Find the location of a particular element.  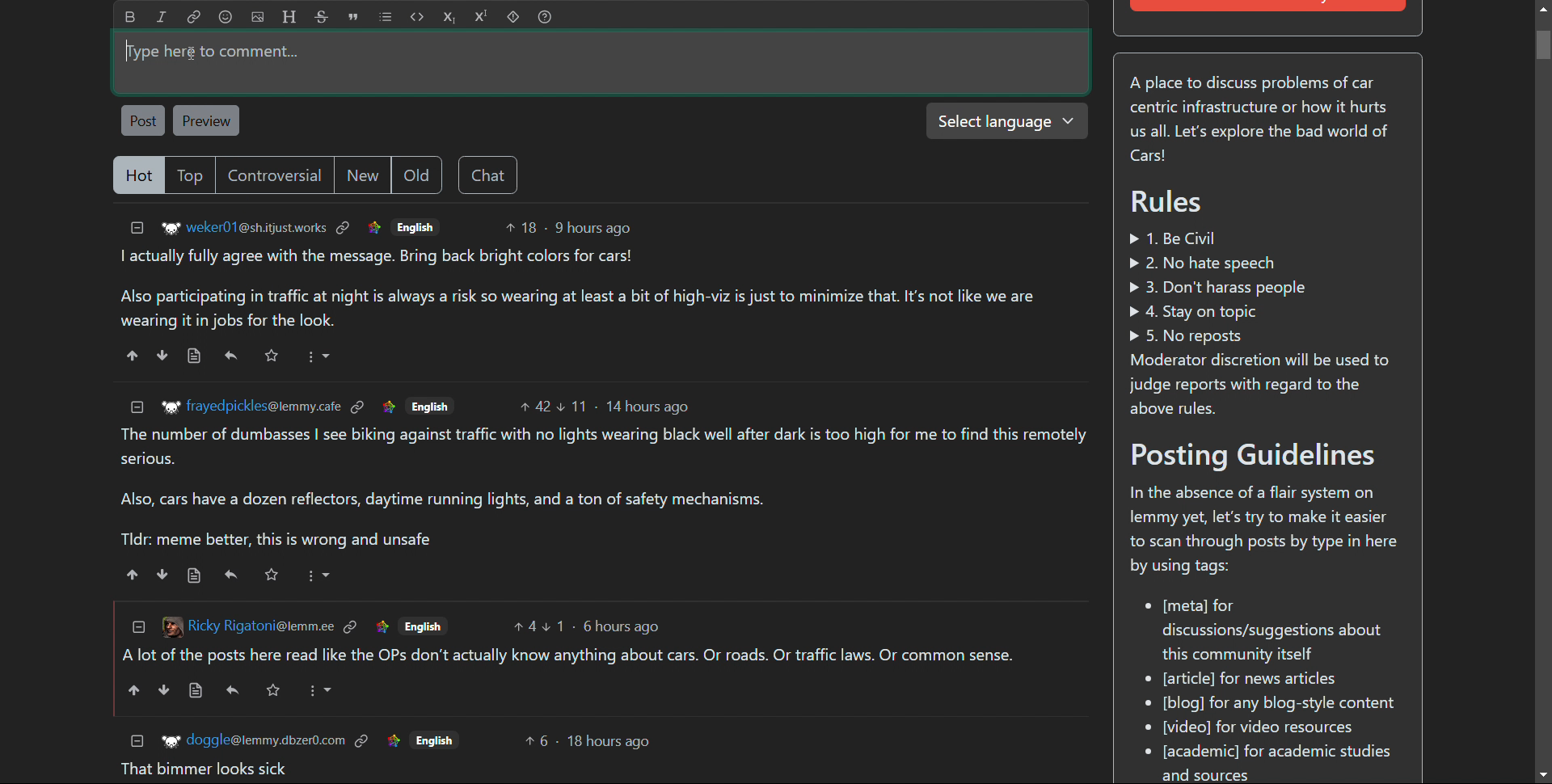

18 hours ago is located at coordinates (610, 743).